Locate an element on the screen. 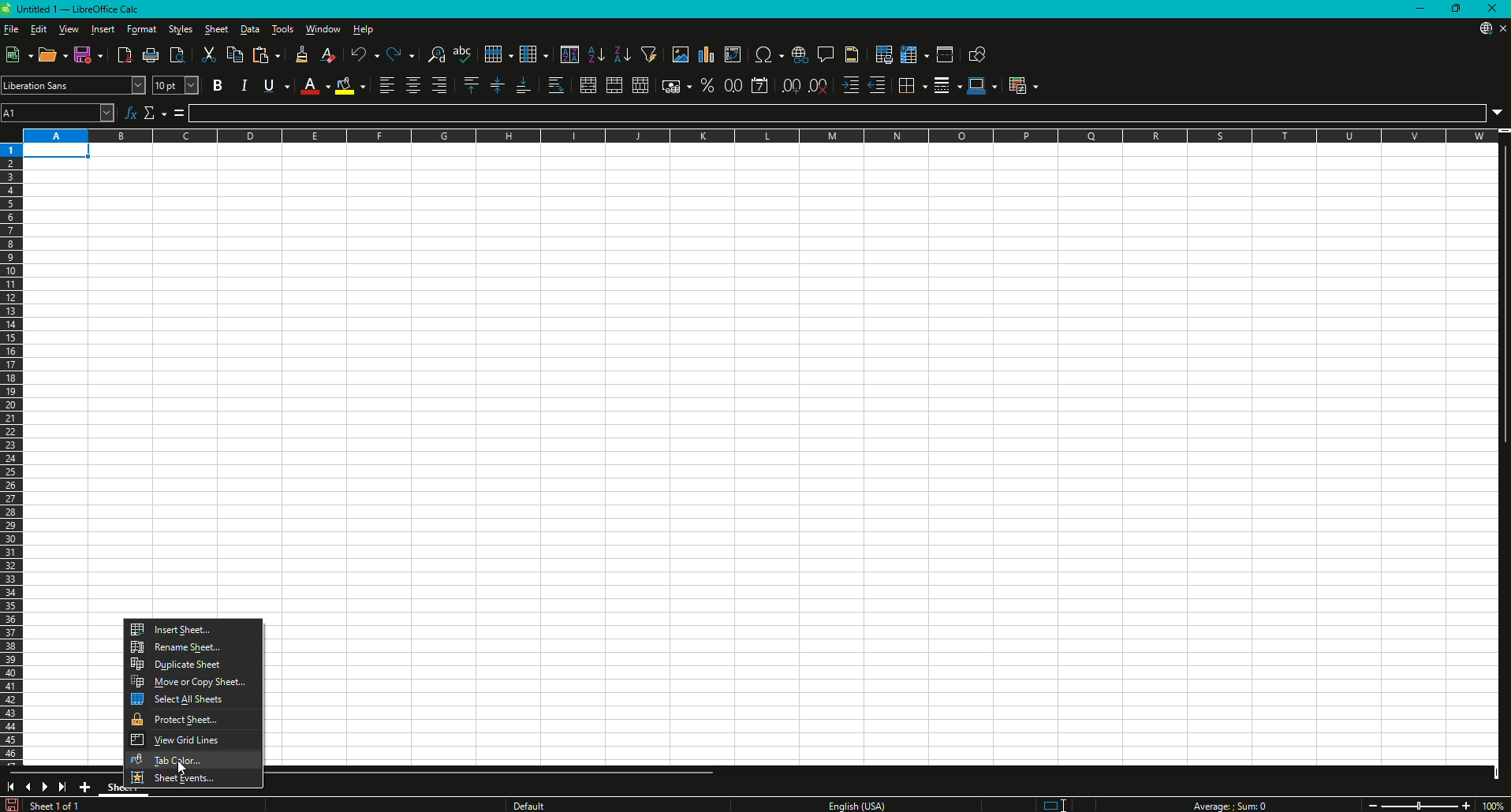 Image resolution: width=1511 pixels, height=812 pixels. Decrease Indent is located at coordinates (878, 85).